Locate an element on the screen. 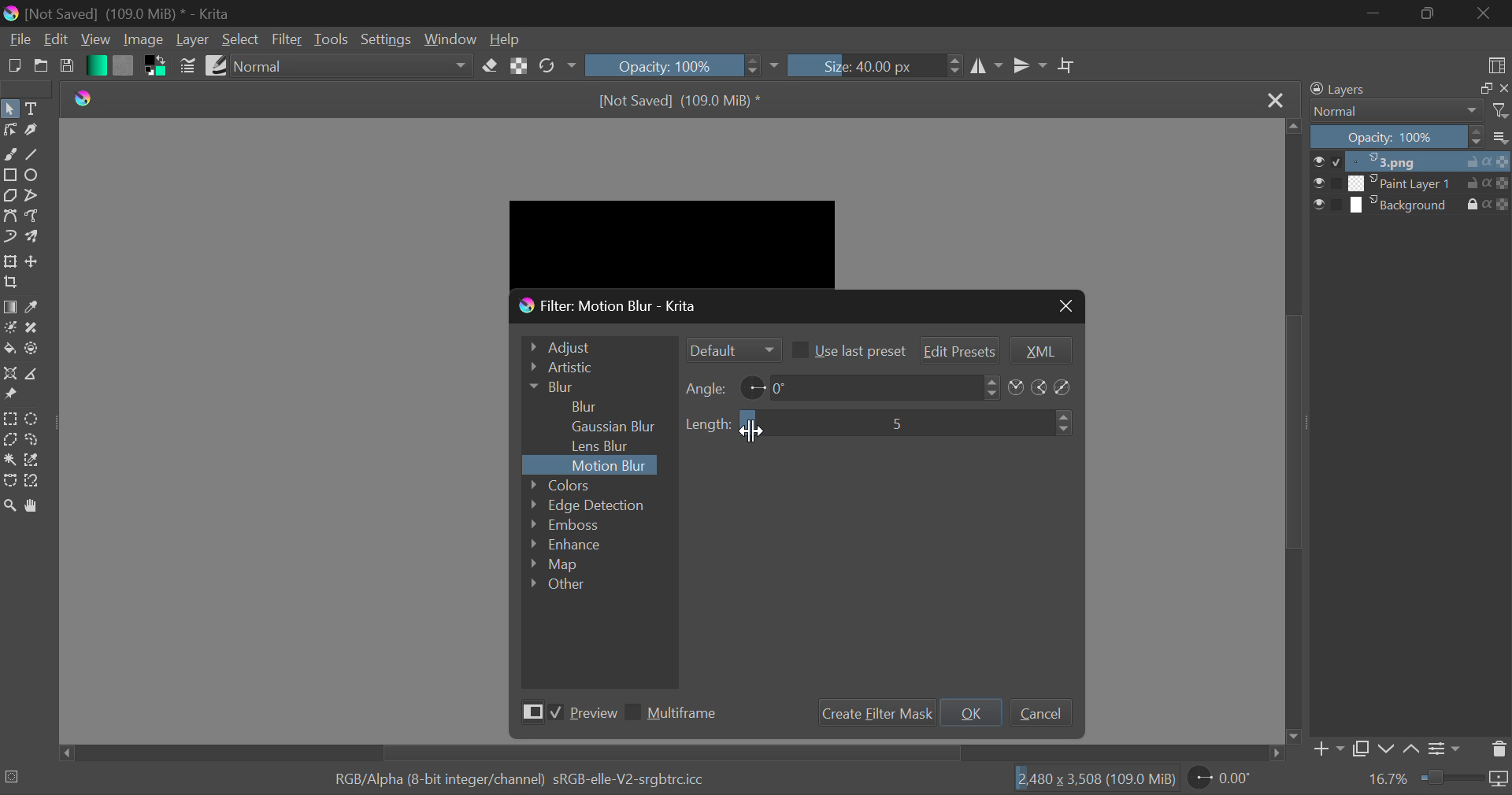  Tools is located at coordinates (331, 40).